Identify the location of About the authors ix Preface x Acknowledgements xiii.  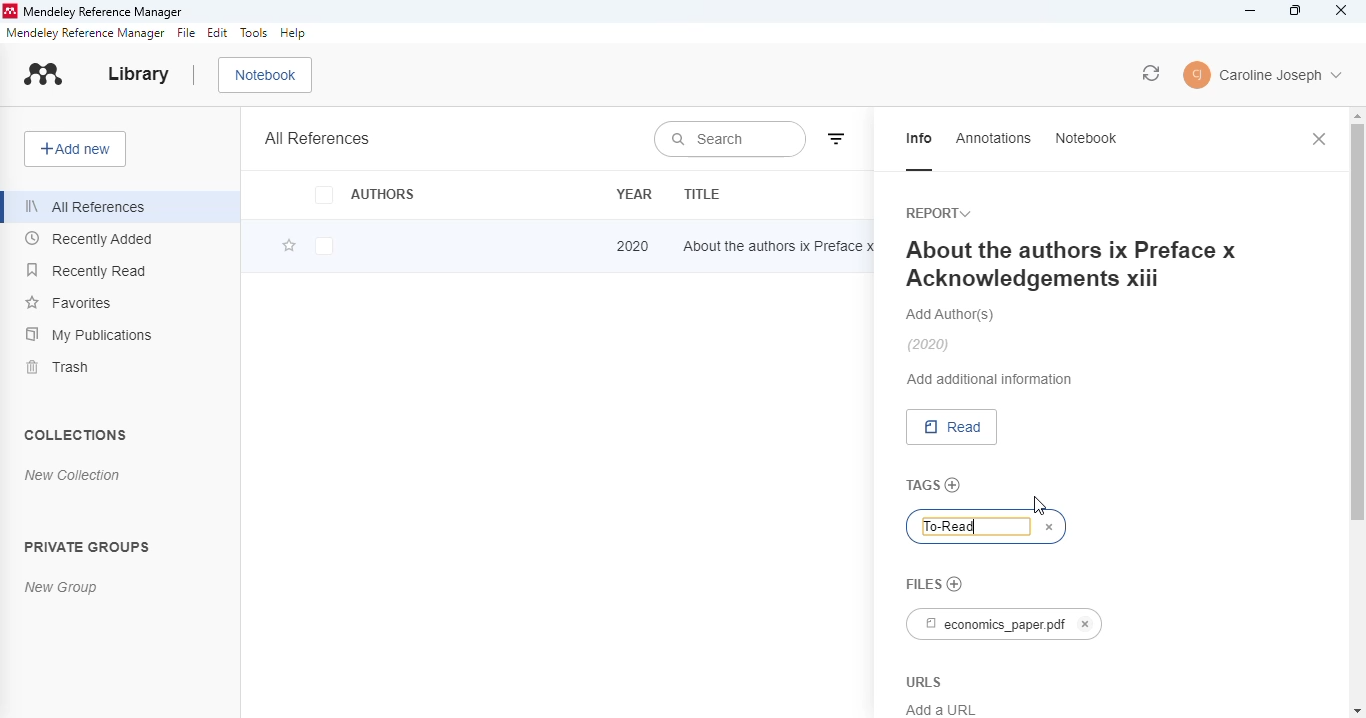
(1071, 263).